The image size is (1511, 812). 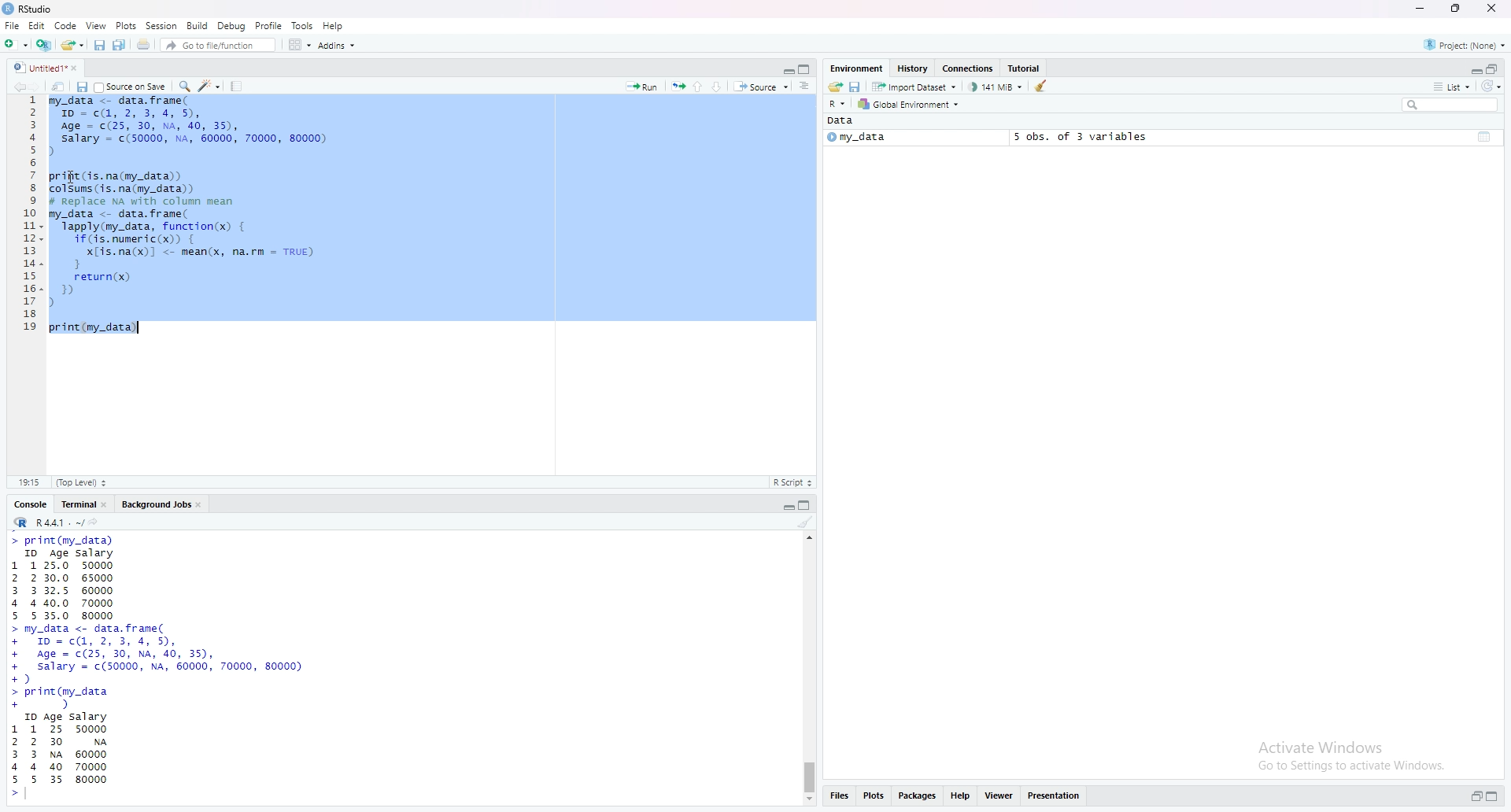 I want to click on Session, so click(x=163, y=25).